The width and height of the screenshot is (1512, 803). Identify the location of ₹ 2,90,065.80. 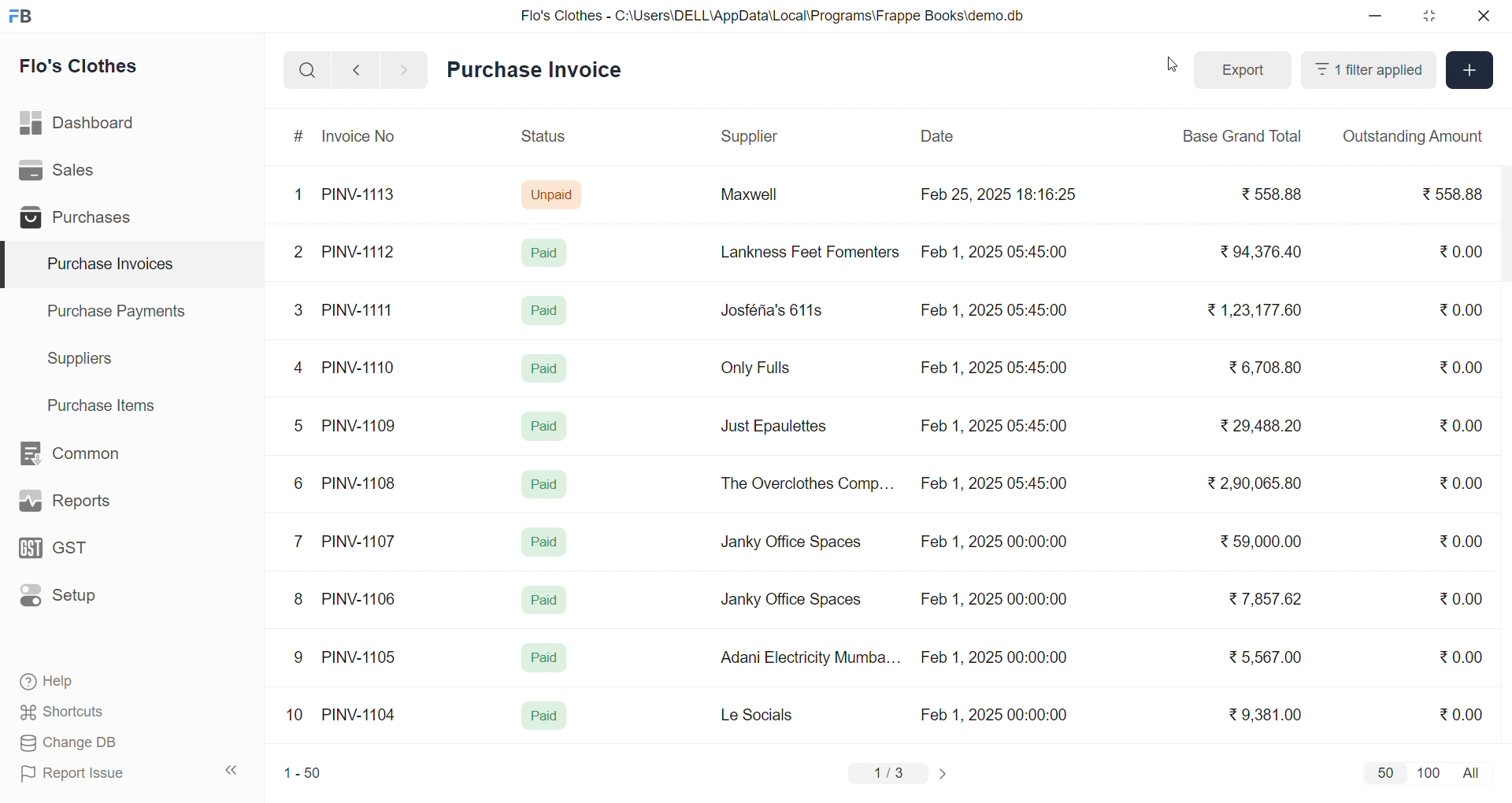
(1256, 484).